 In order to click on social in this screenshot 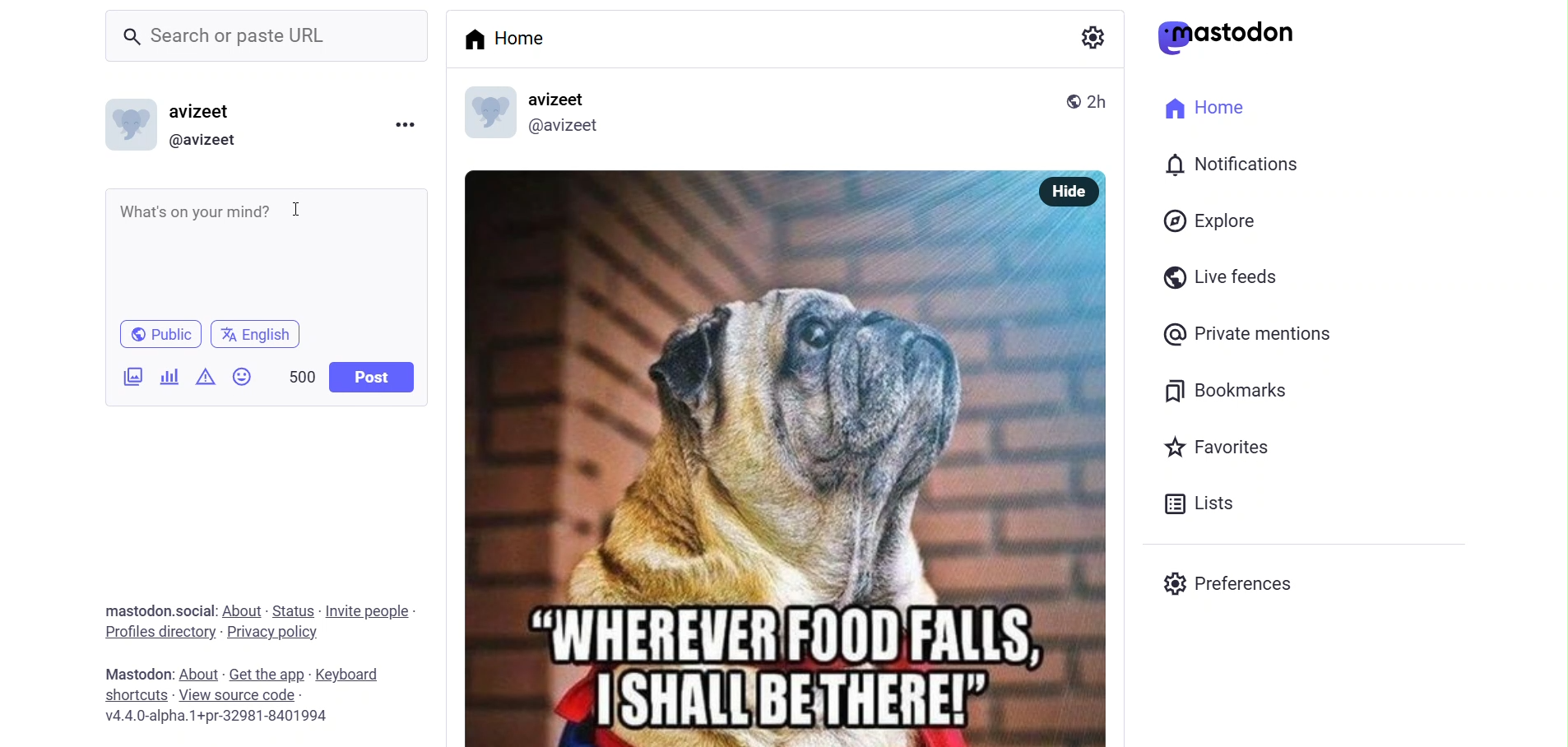, I will do `click(196, 610)`.